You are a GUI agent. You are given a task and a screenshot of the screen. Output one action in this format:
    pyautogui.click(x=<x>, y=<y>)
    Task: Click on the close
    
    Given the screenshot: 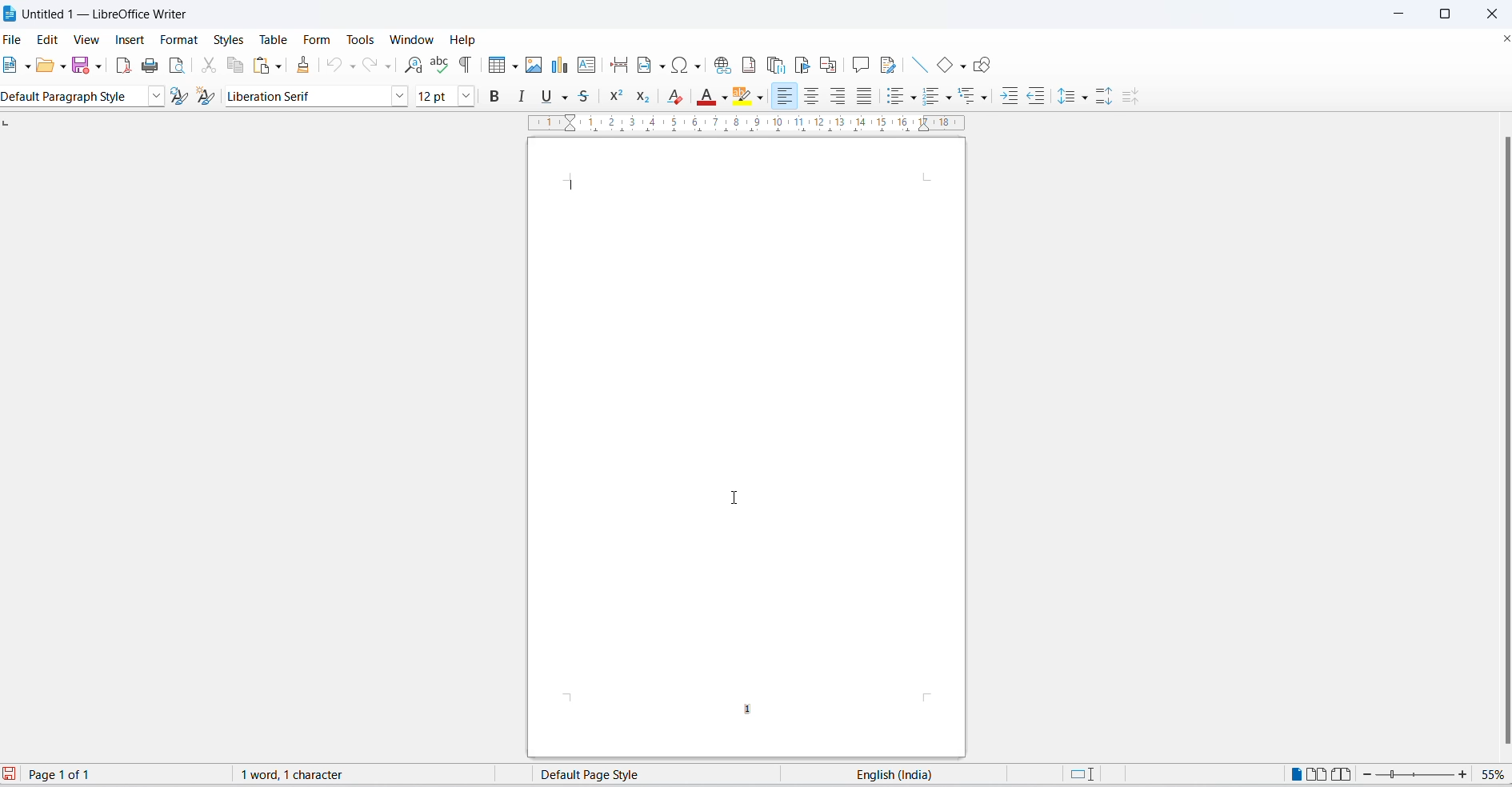 What is the action you would take?
    pyautogui.click(x=1489, y=12)
    